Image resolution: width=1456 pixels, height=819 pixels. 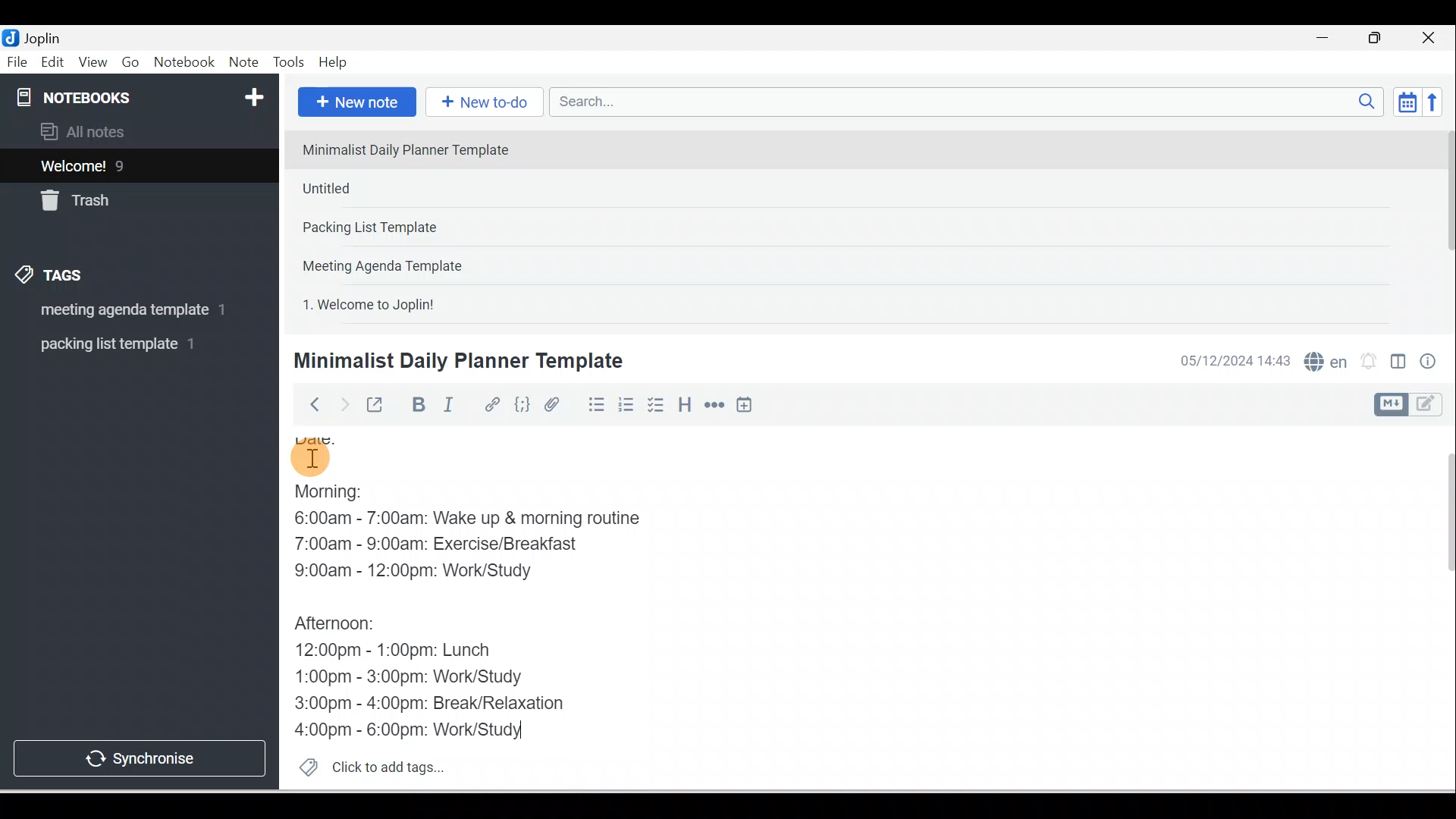 I want to click on Toggle external editing, so click(x=377, y=408).